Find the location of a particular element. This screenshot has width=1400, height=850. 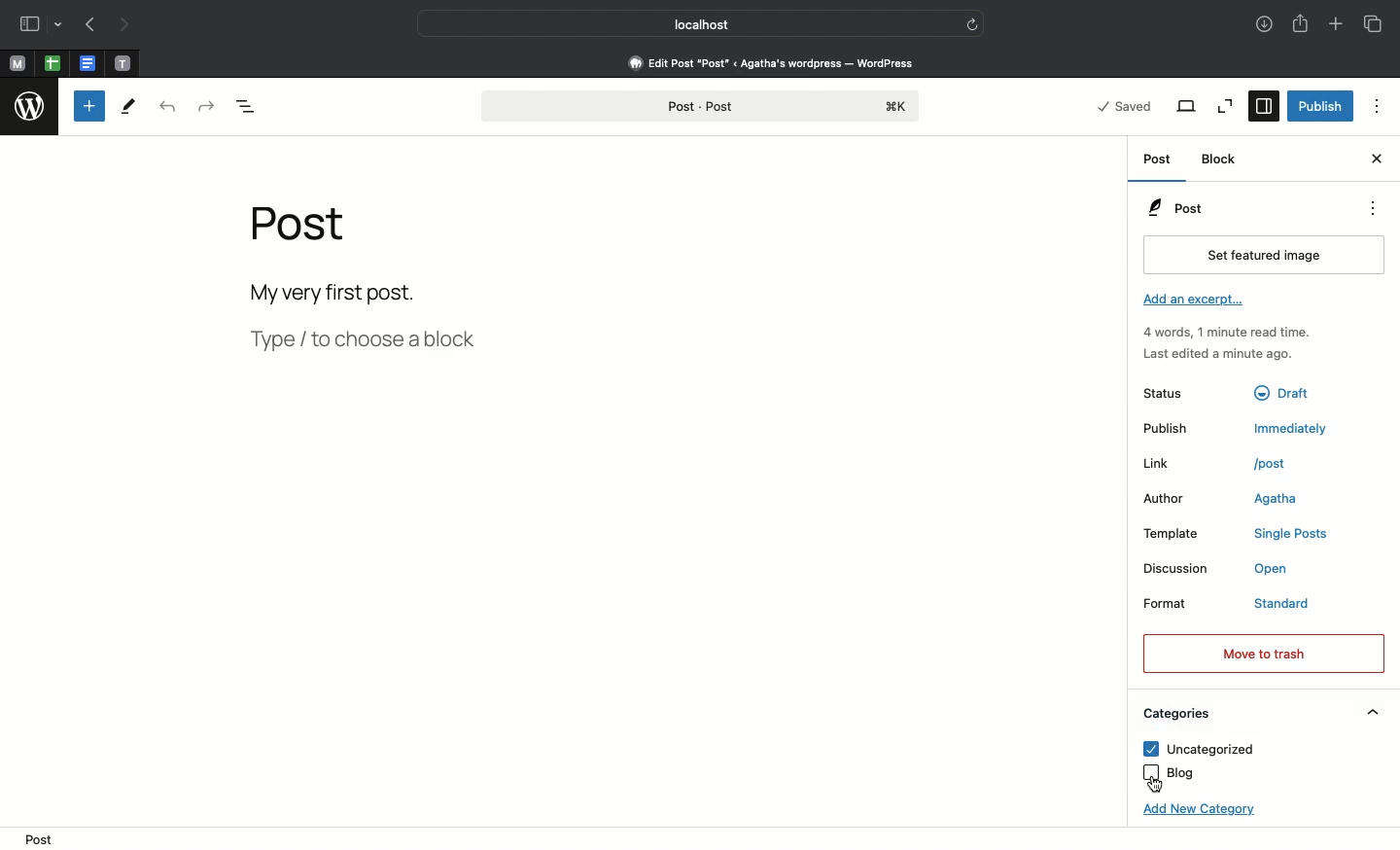

Post is located at coordinates (306, 233).